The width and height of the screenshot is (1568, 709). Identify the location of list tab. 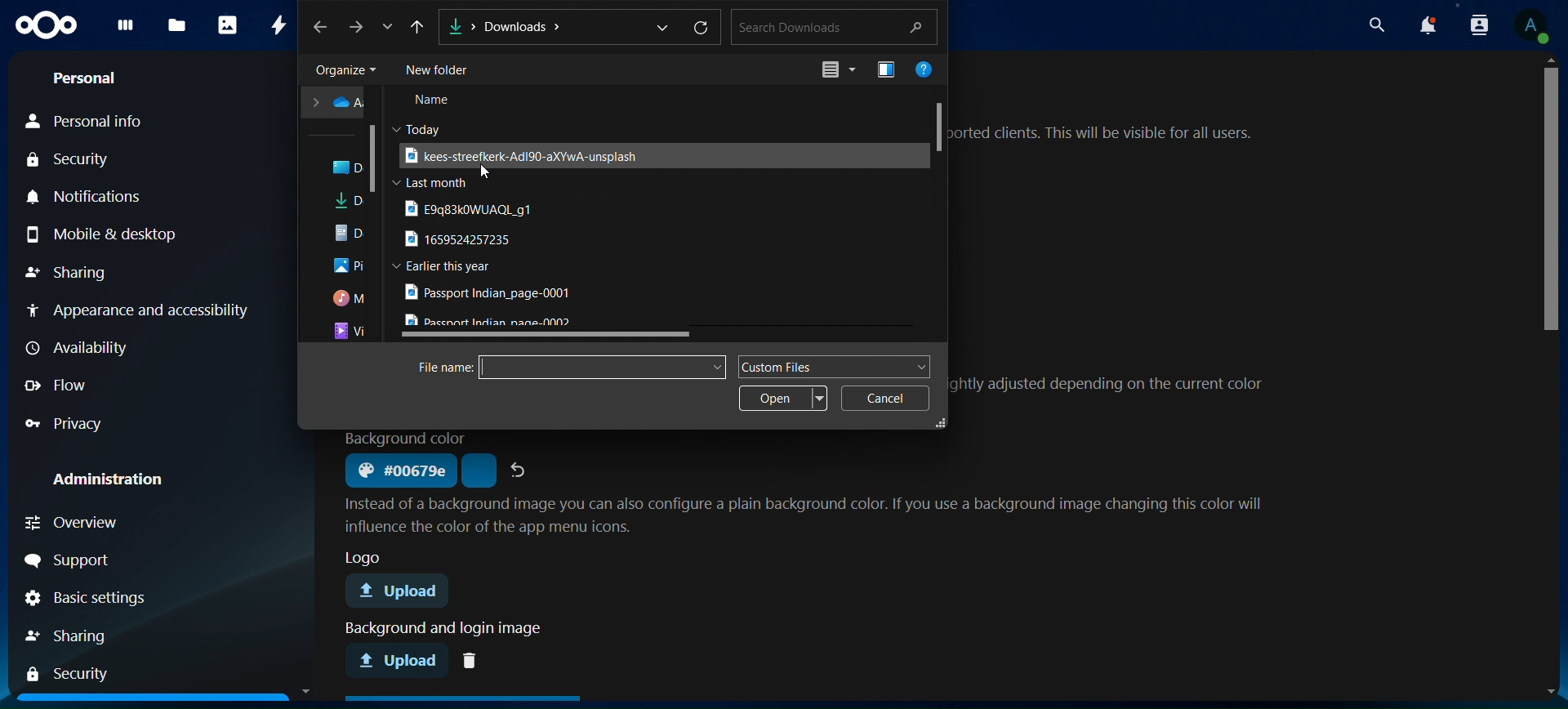
(391, 29).